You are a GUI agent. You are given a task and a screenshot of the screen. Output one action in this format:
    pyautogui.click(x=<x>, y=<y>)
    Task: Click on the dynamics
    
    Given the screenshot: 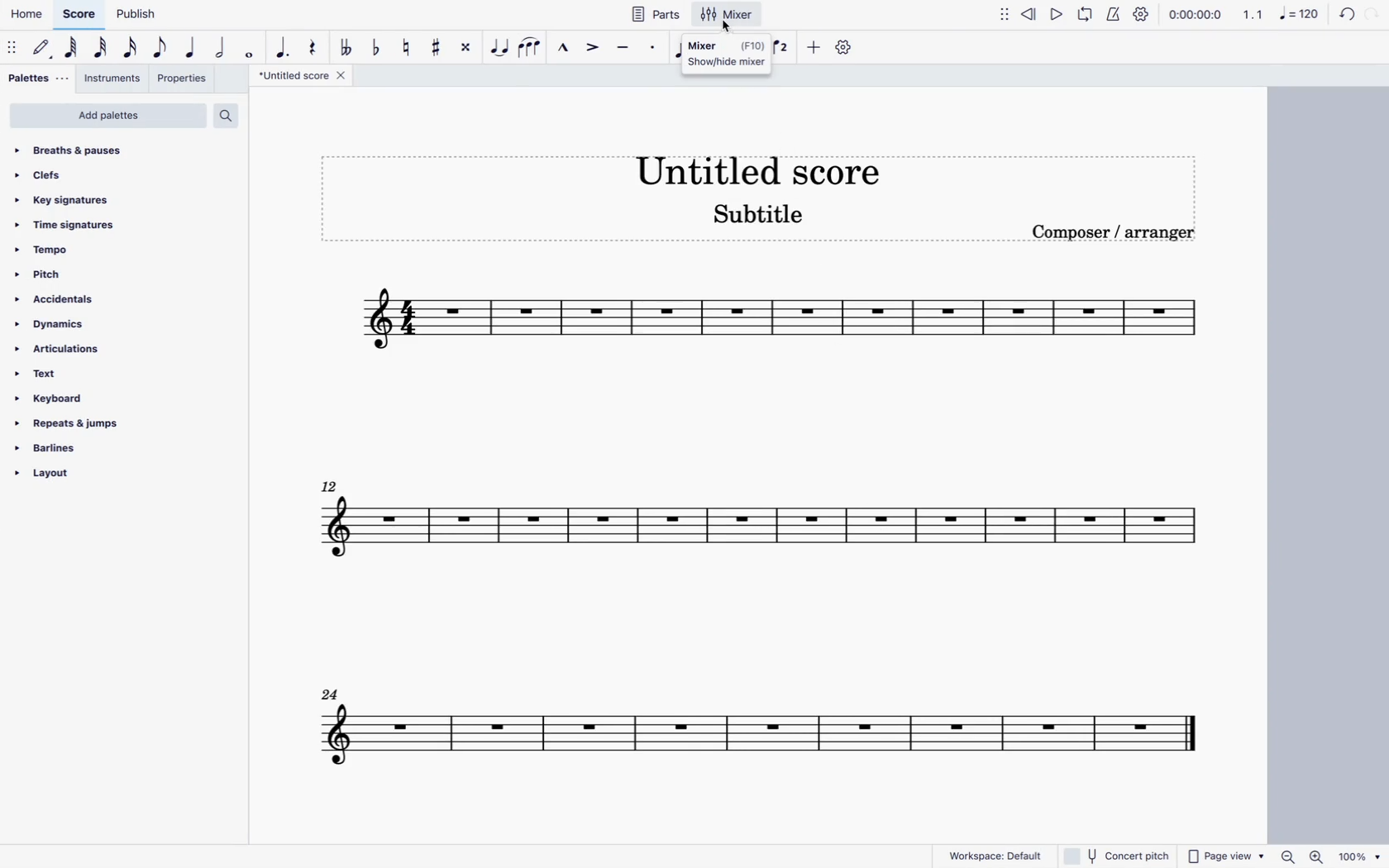 What is the action you would take?
    pyautogui.click(x=59, y=325)
    